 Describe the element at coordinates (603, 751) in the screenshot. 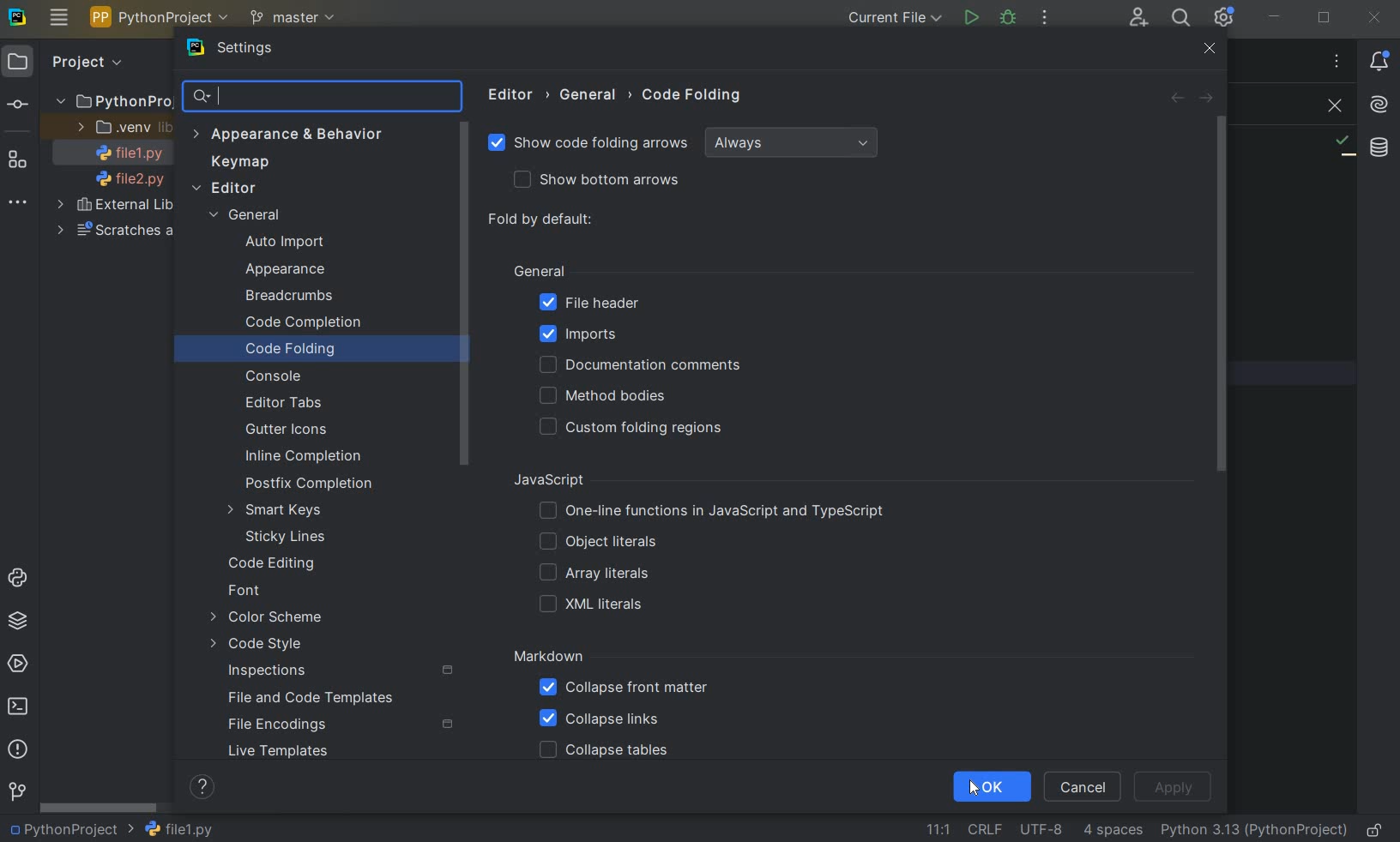

I see `COLLAPSE TABLES` at that location.